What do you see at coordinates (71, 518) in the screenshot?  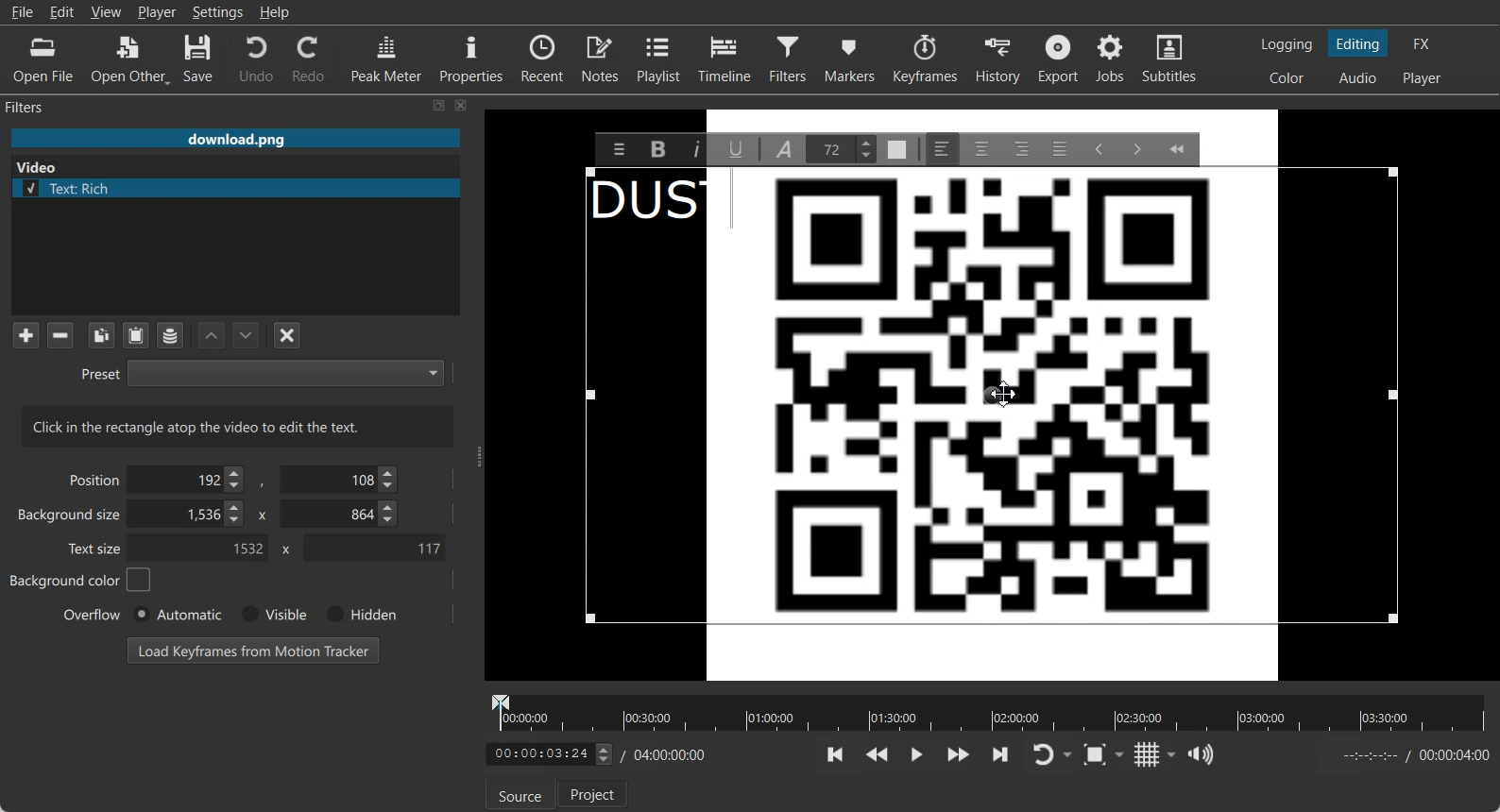 I see `Background size` at bounding box center [71, 518].